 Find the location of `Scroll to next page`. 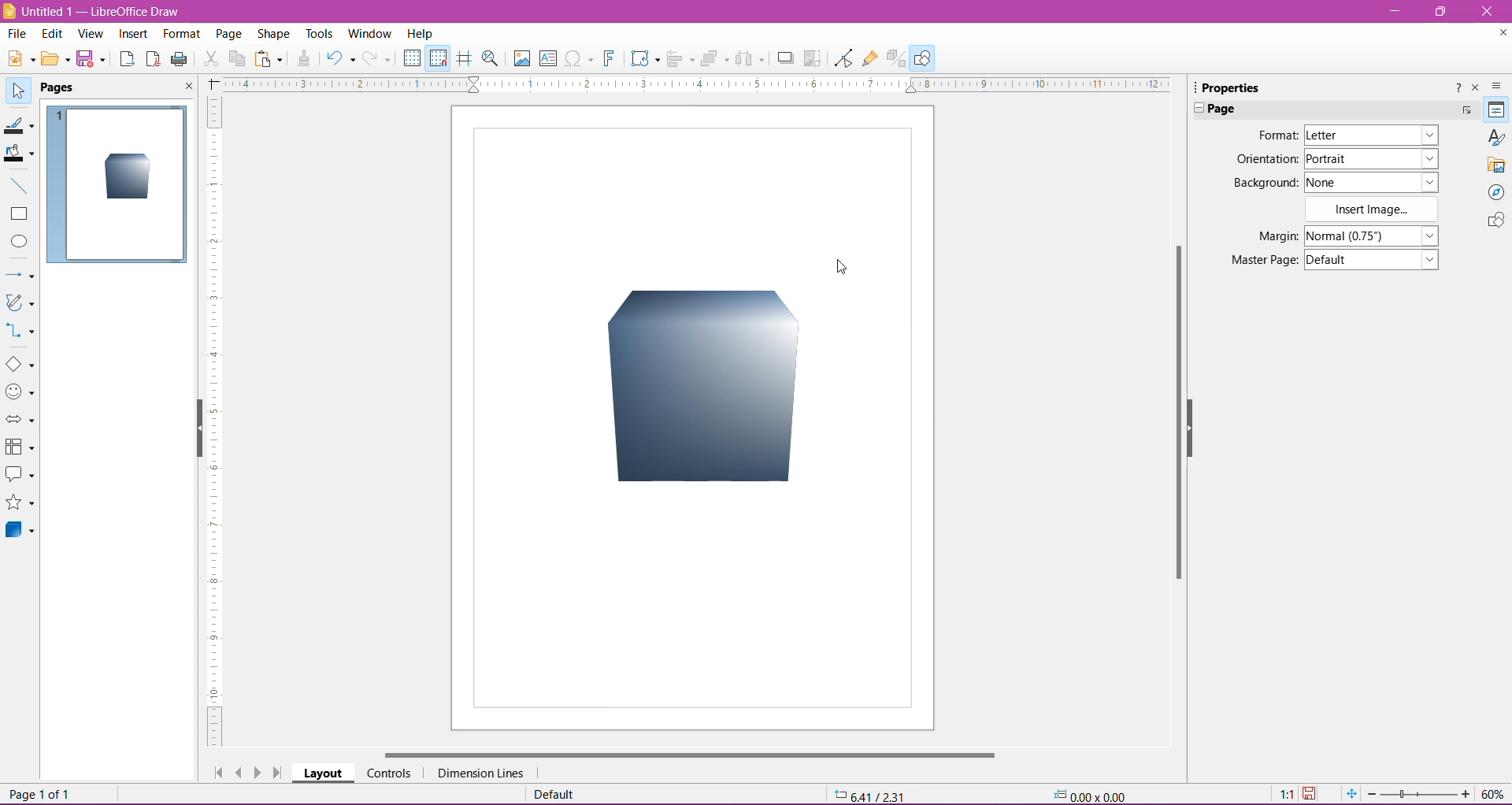

Scroll to next page is located at coordinates (260, 772).